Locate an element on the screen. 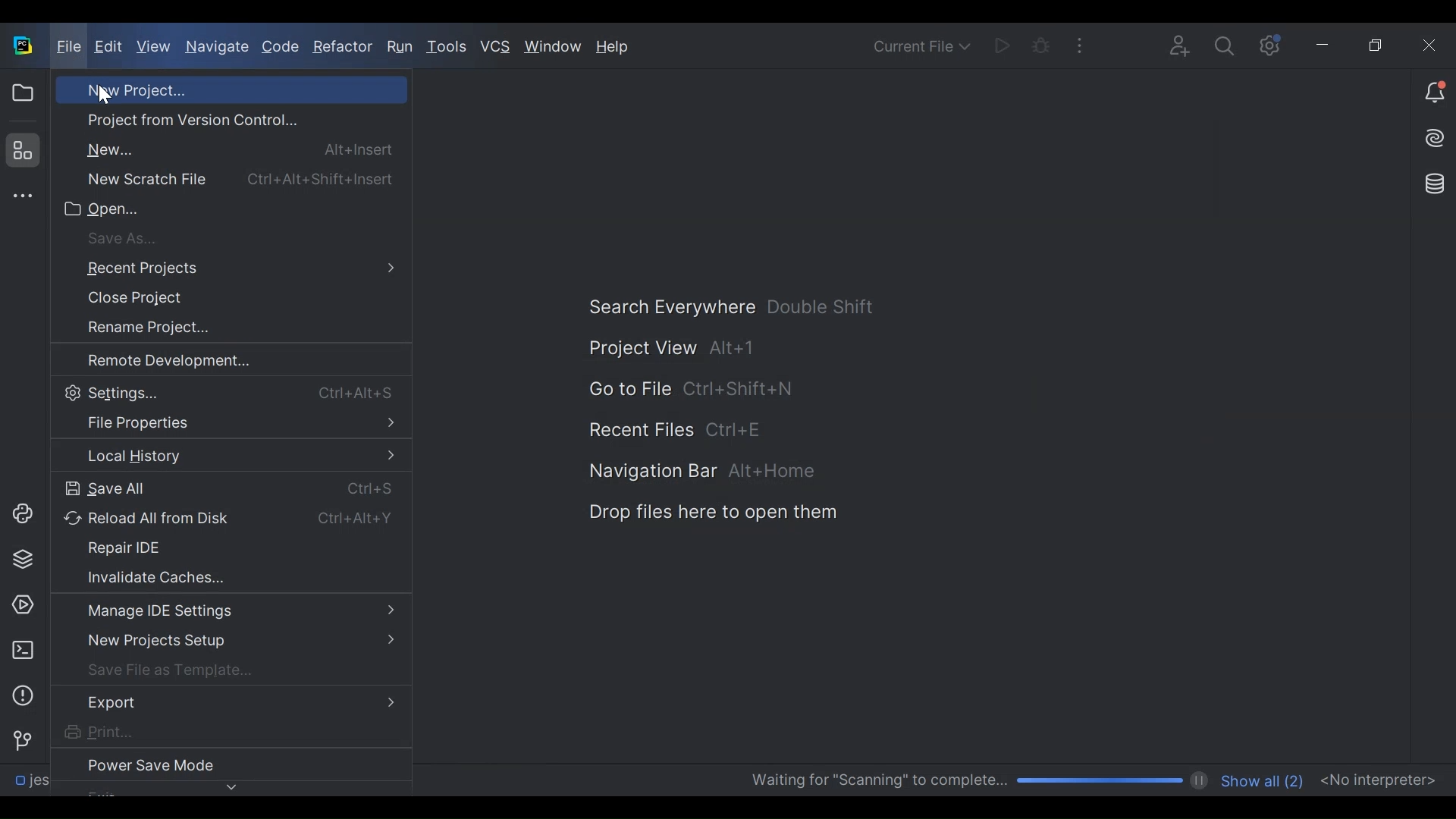 This screenshot has height=819, width=1456. Problem is located at coordinates (22, 695).